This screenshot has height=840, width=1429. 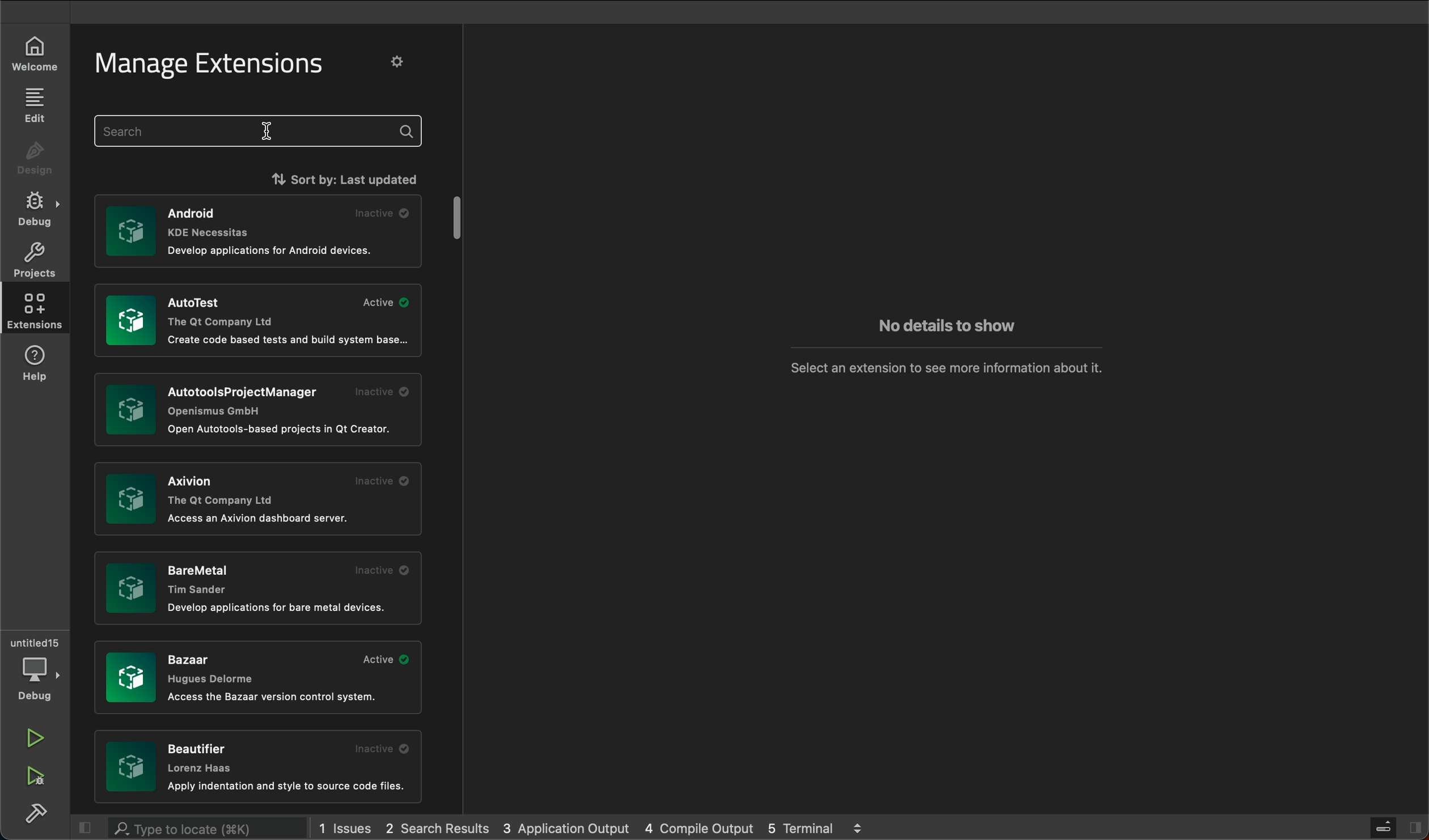 I want to click on build, so click(x=40, y=817).